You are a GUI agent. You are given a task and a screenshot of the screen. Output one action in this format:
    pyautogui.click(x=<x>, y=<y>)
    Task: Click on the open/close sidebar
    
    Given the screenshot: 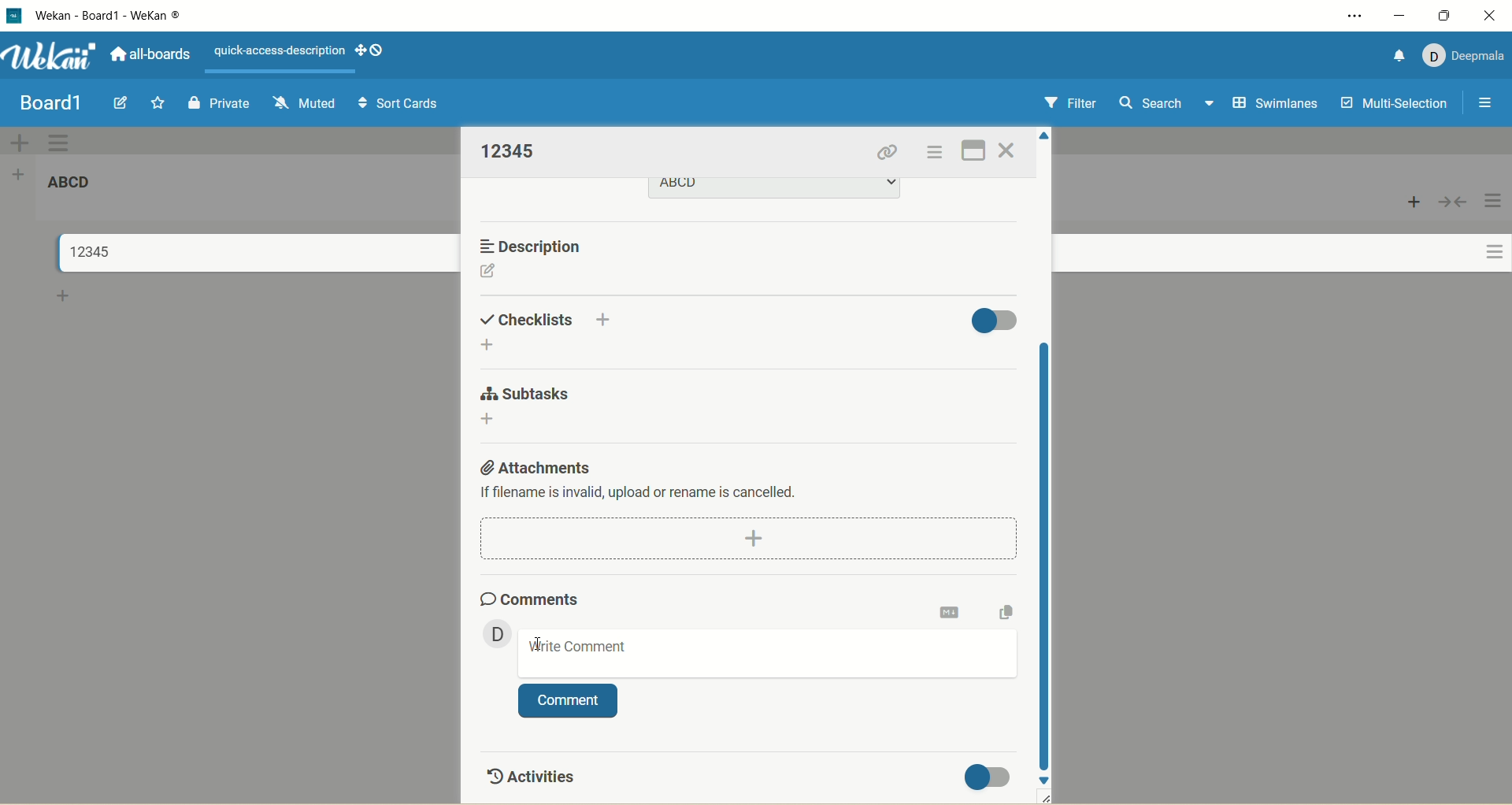 What is the action you would take?
    pyautogui.click(x=1483, y=104)
    